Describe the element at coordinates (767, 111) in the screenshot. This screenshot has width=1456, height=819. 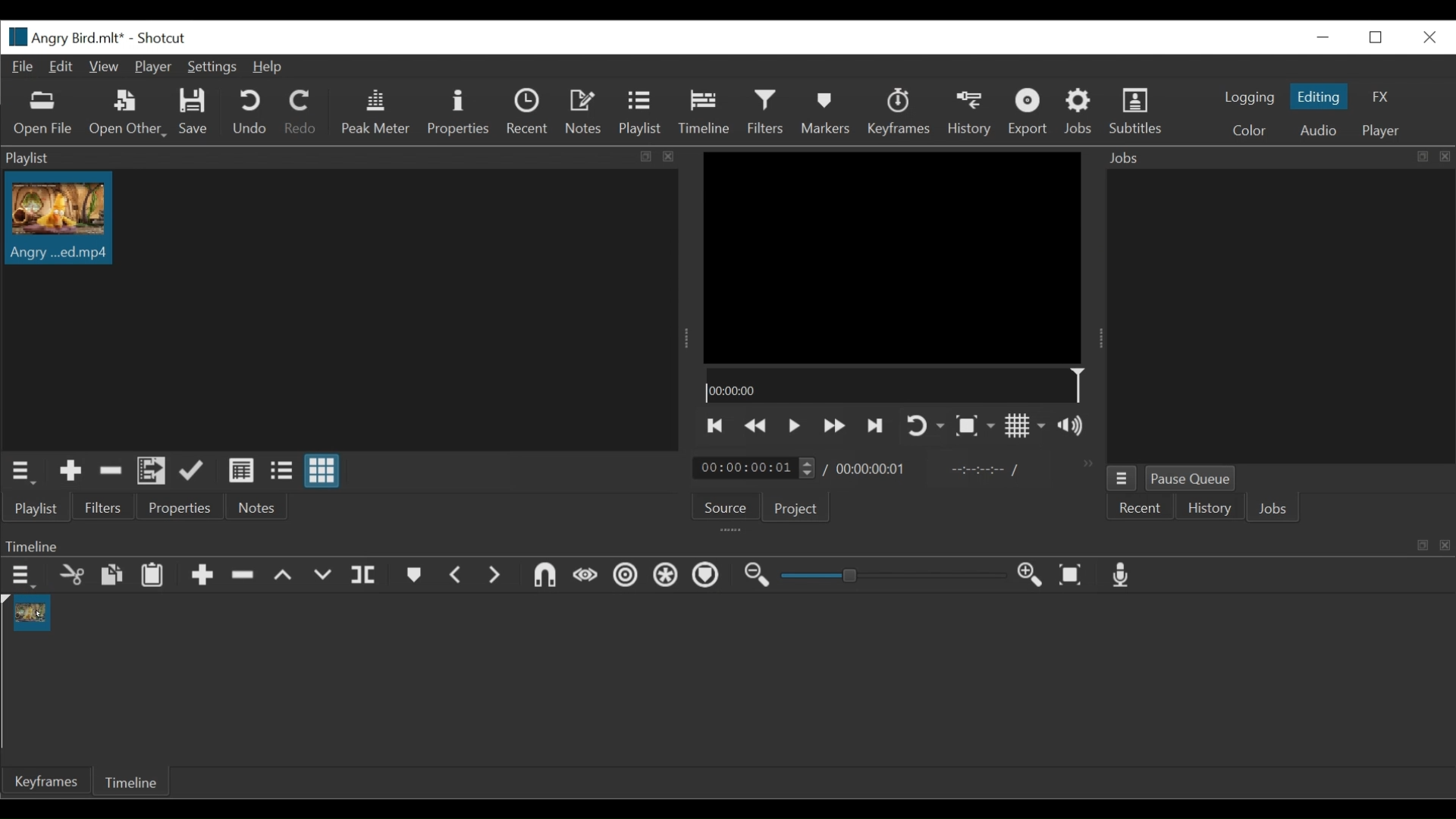
I see `Filters` at that location.